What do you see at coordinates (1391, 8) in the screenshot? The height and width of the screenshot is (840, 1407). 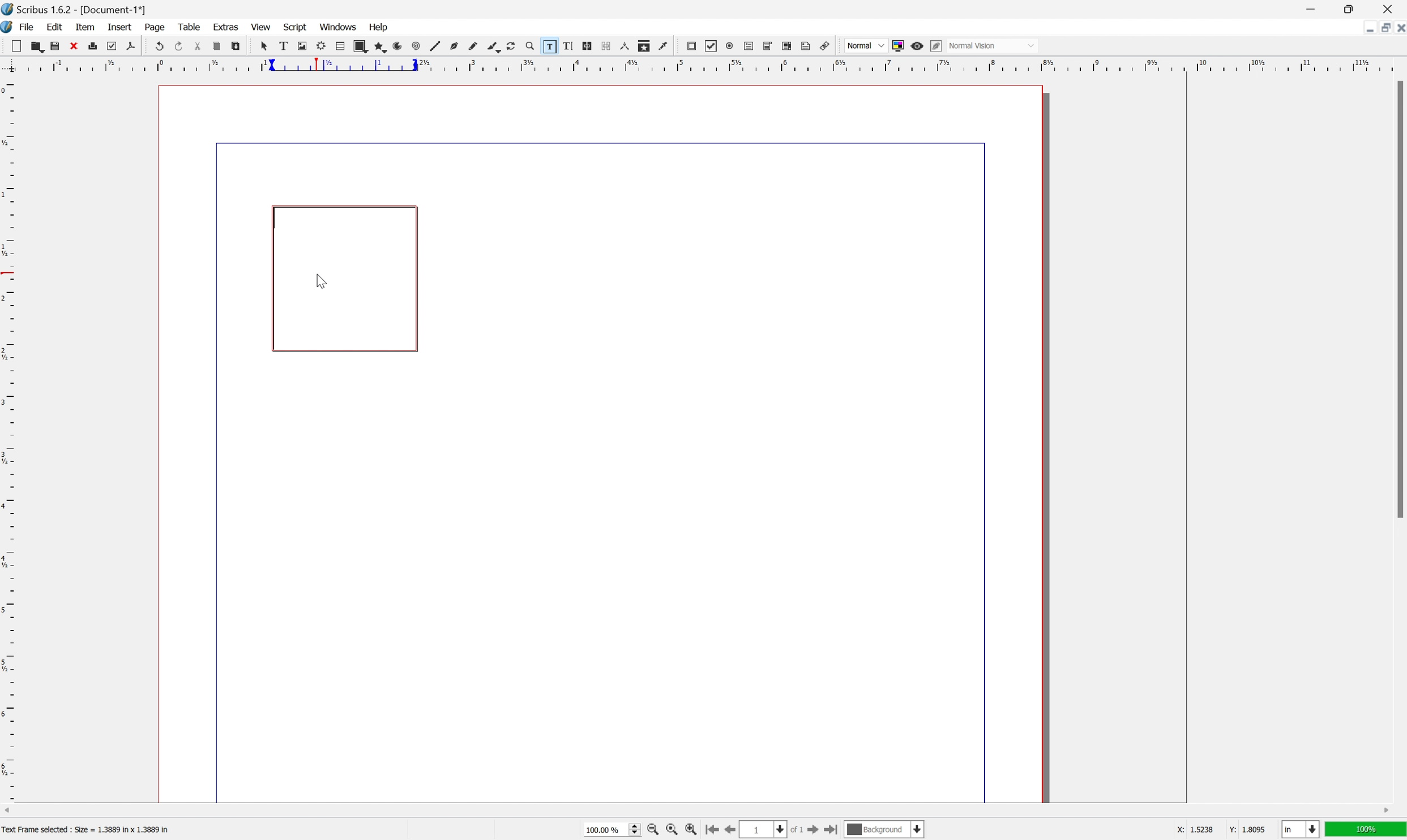 I see `close` at bounding box center [1391, 8].